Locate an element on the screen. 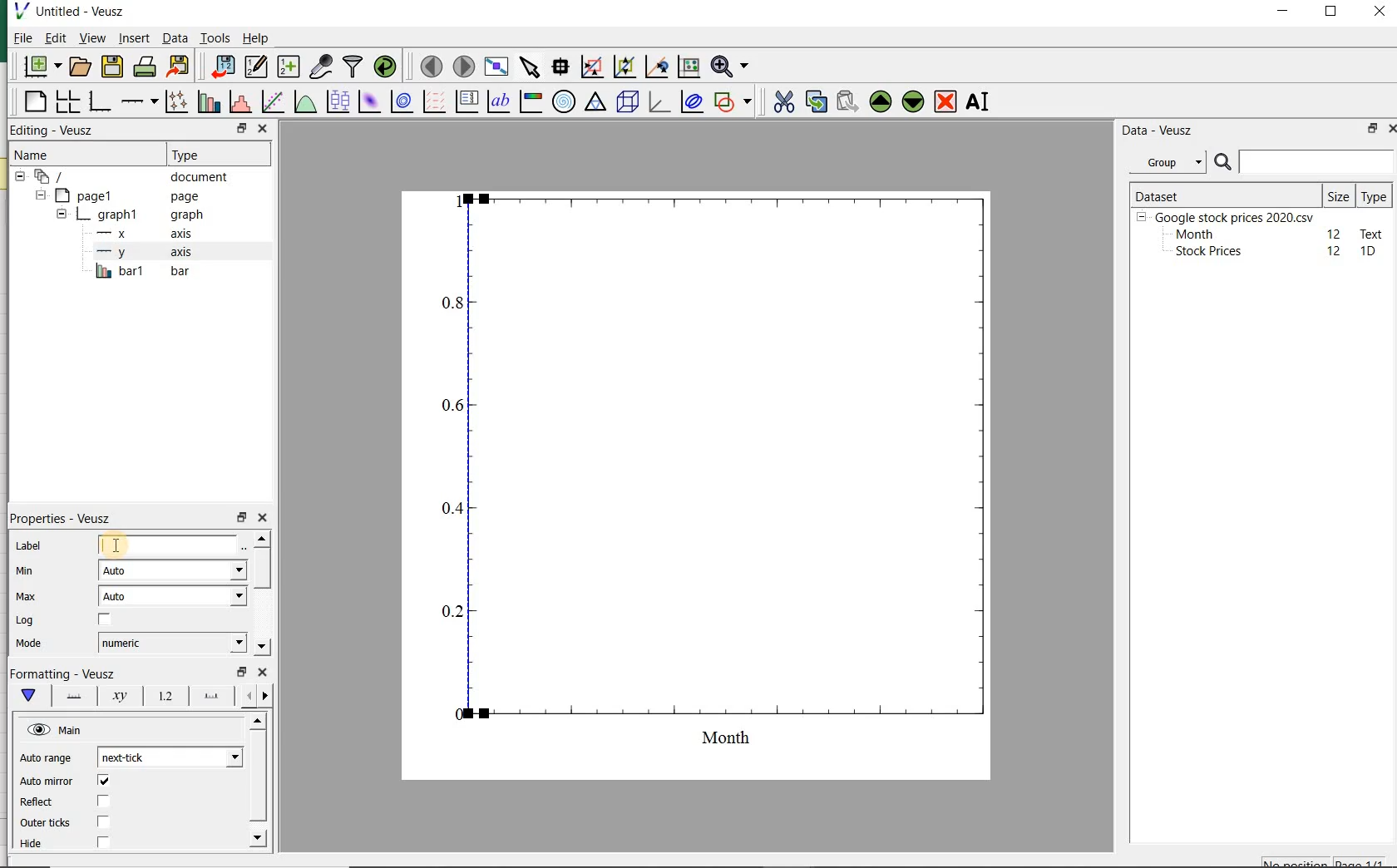 Image resolution: width=1397 pixels, height=868 pixels. Formatting - Veusz is located at coordinates (65, 673).